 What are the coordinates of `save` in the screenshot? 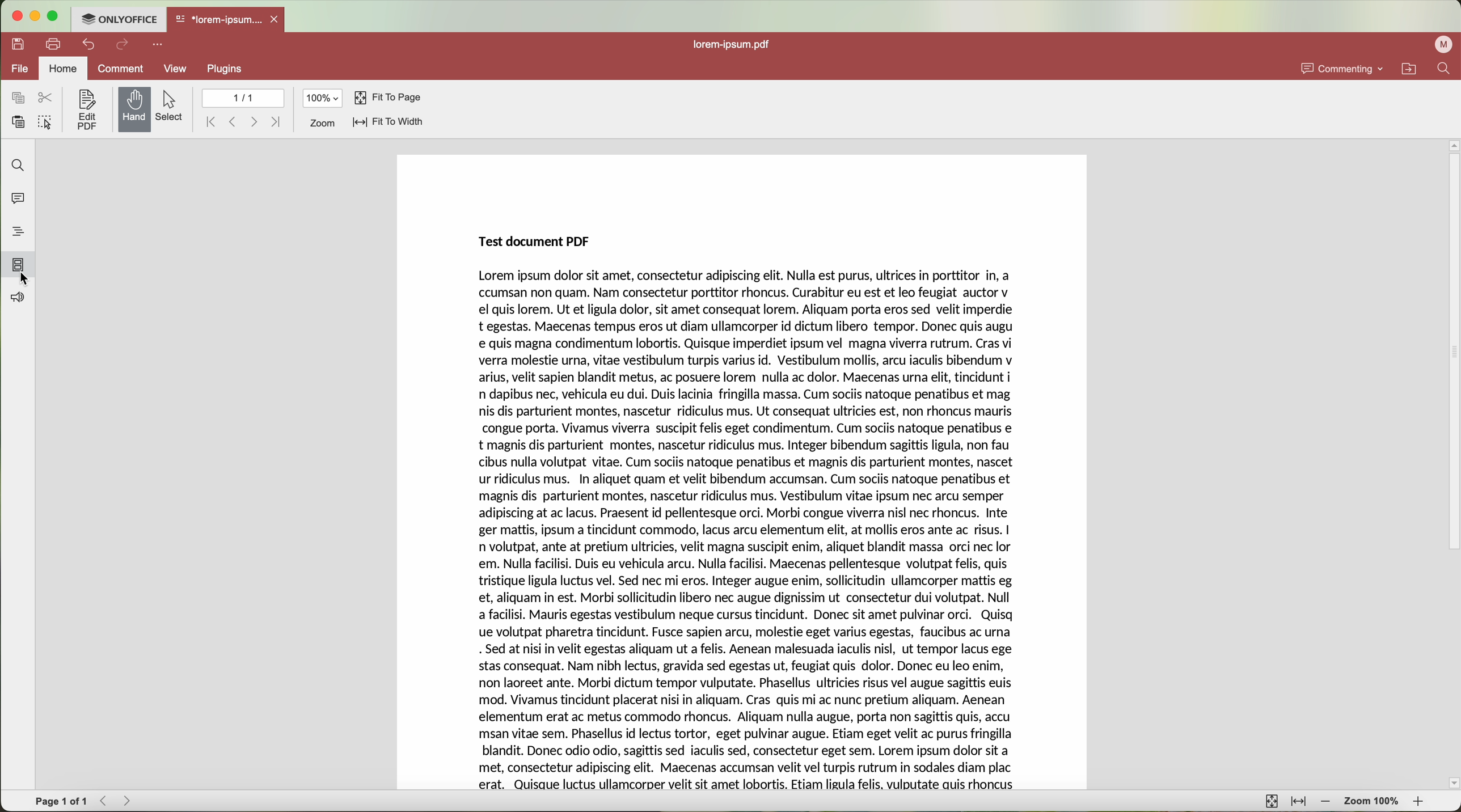 It's located at (16, 45).